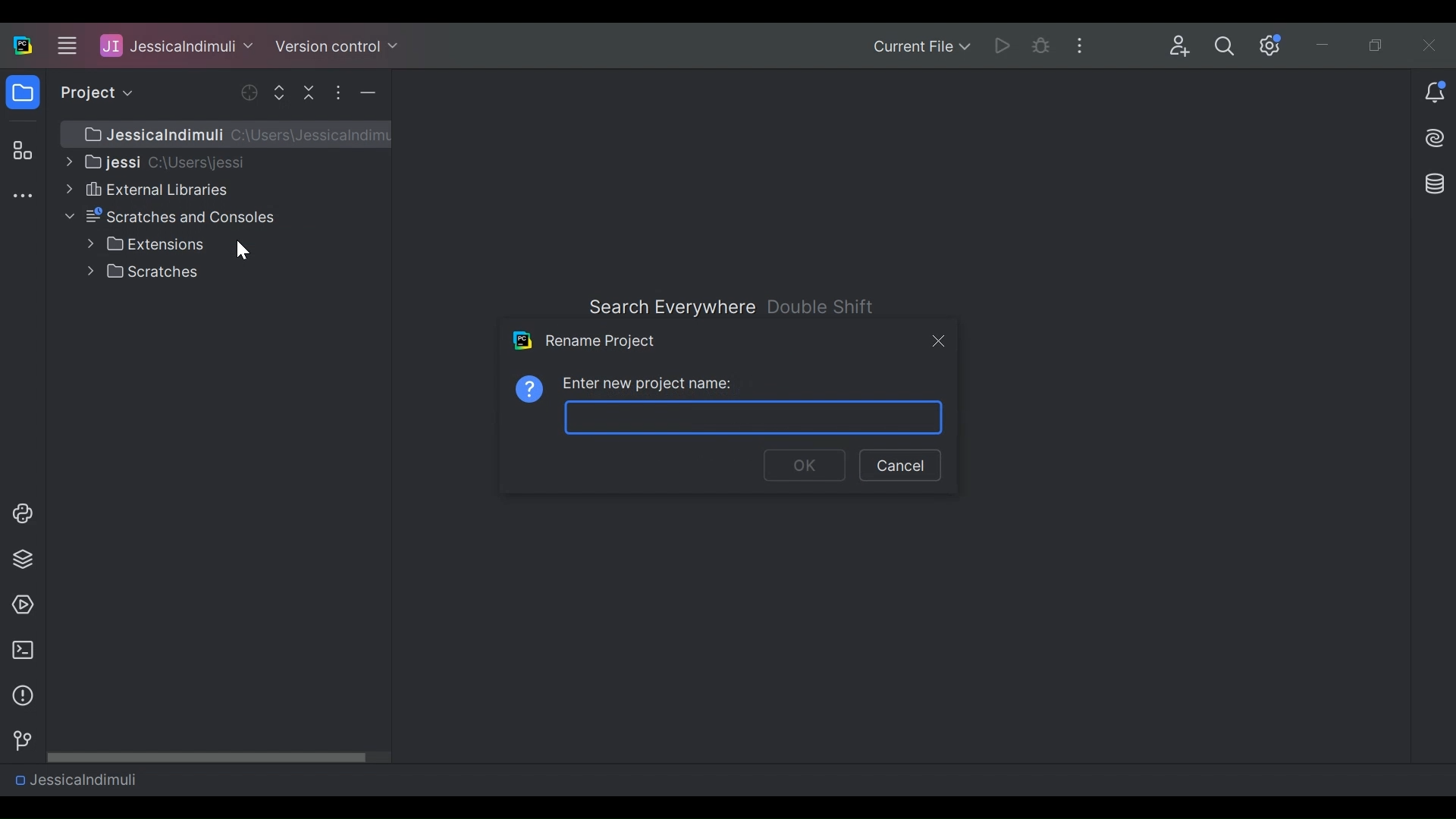 The width and height of the screenshot is (1456, 819). Describe the element at coordinates (93, 93) in the screenshot. I see `project view` at that location.